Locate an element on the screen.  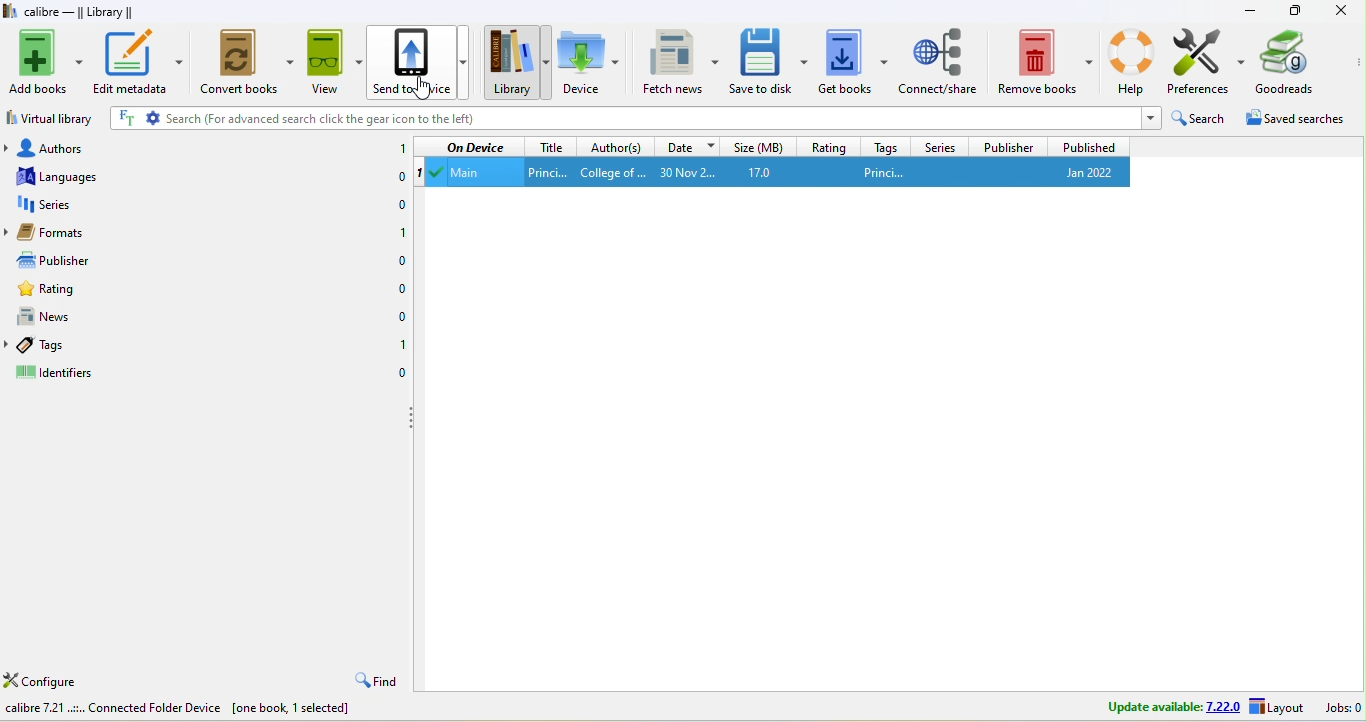
calibre 7.2.1 connected folder device [one book, 1 selected] is located at coordinates (188, 710).